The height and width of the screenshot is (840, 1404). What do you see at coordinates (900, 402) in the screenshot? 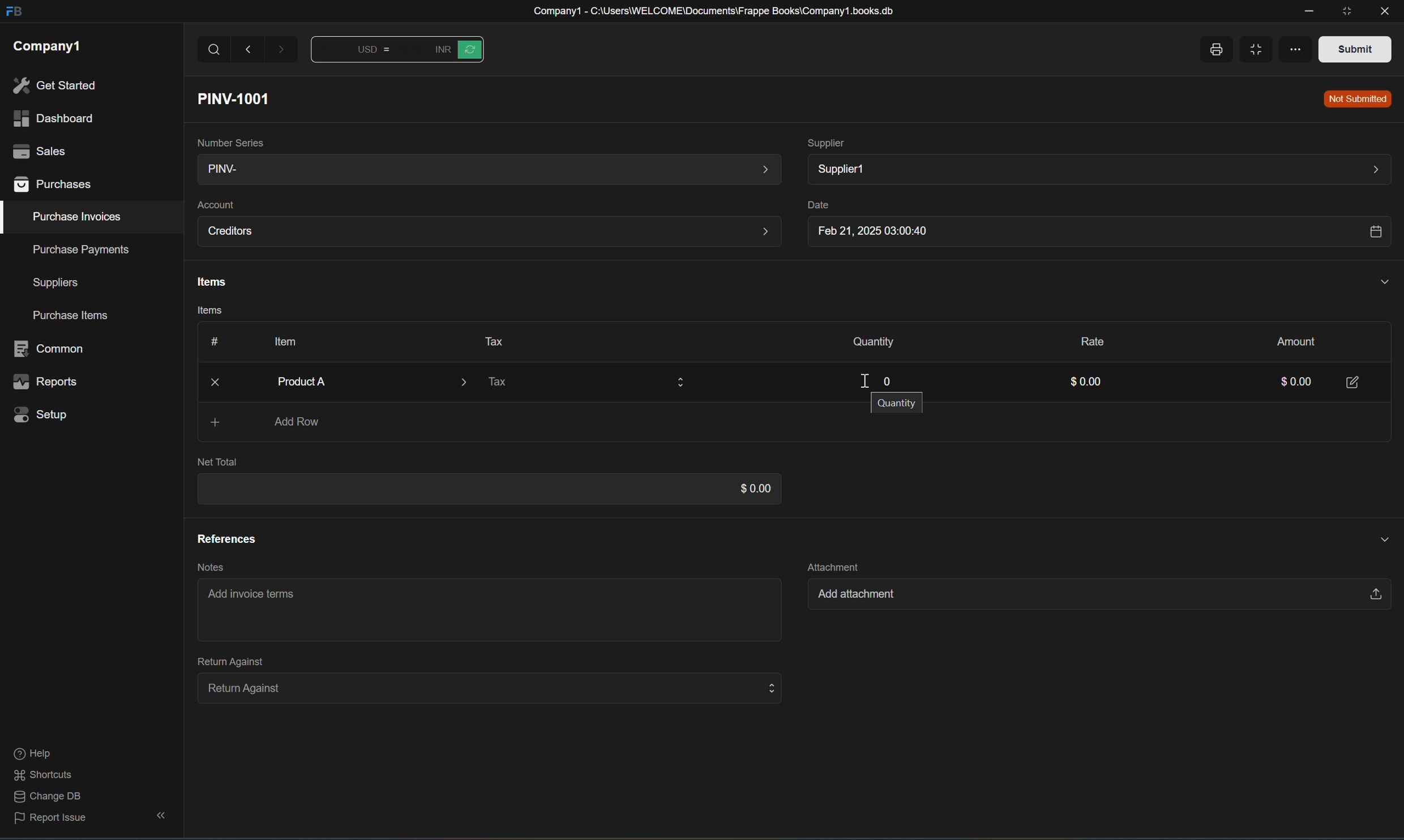
I see `Quantity` at bounding box center [900, 402].